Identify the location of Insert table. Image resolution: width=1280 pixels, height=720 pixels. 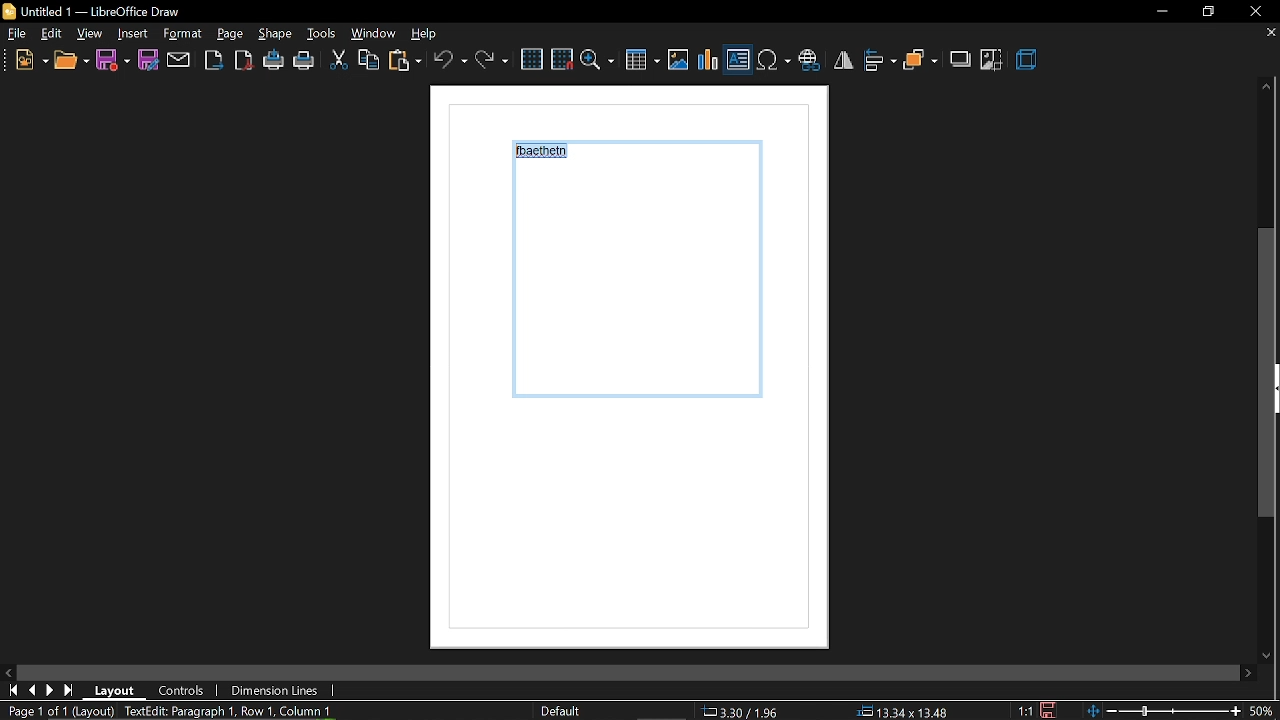
(642, 61).